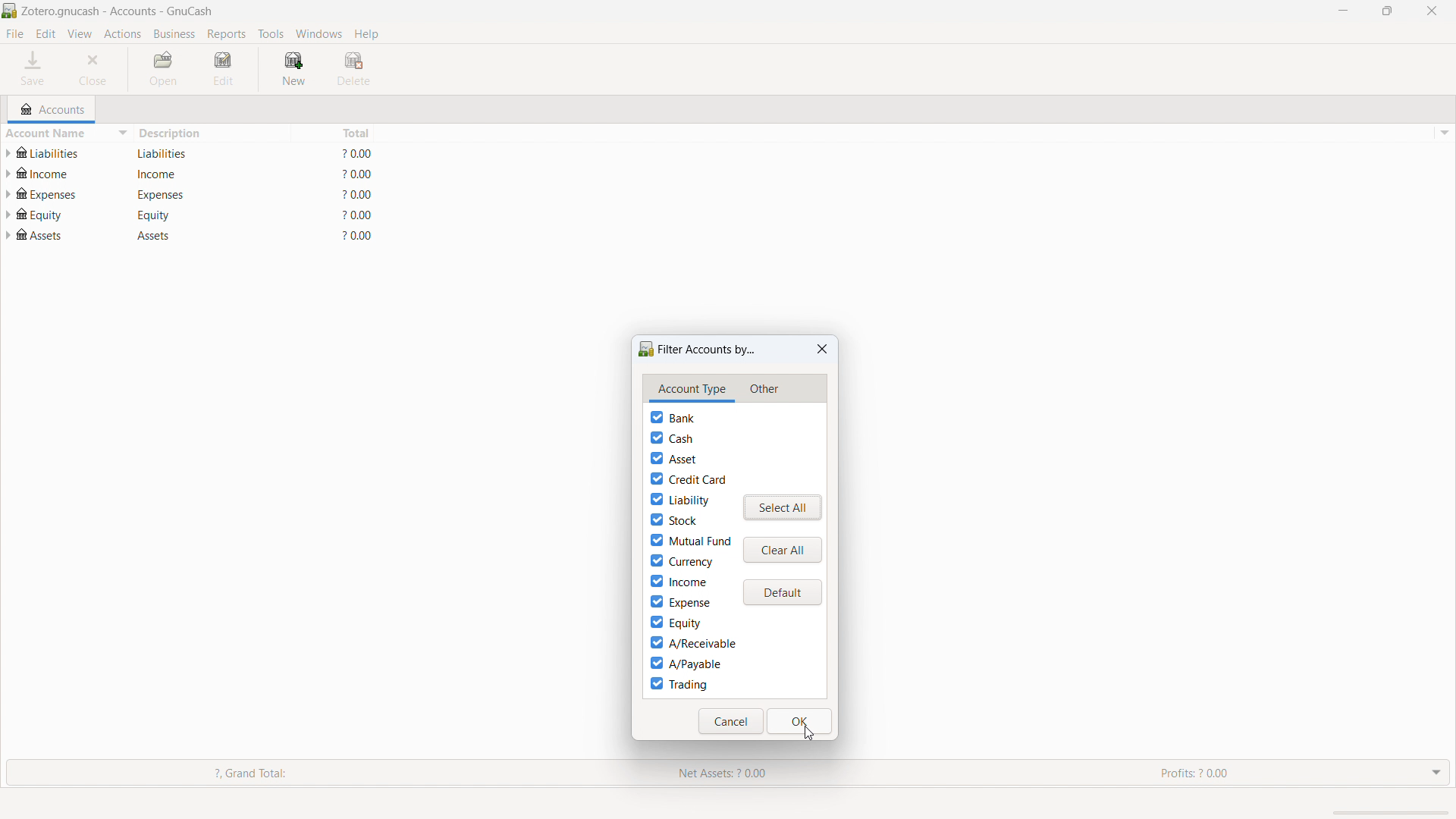  What do you see at coordinates (319, 34) in the screenshot?
I see `windows` at bounding box center [319, 34].